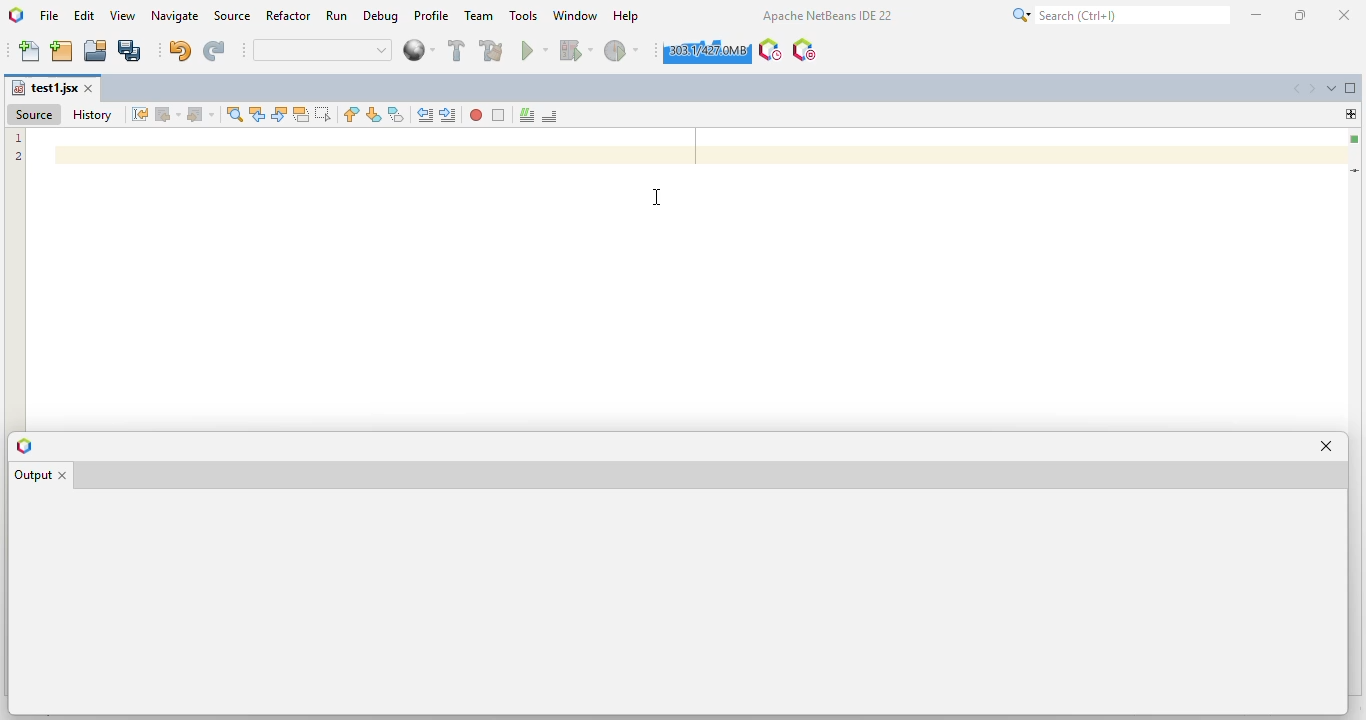 The image size is (1366, 720). What do you see at coordinates (1354, 139) in the screenshot?
I see `no errors` at bounding box center [1354, 139].